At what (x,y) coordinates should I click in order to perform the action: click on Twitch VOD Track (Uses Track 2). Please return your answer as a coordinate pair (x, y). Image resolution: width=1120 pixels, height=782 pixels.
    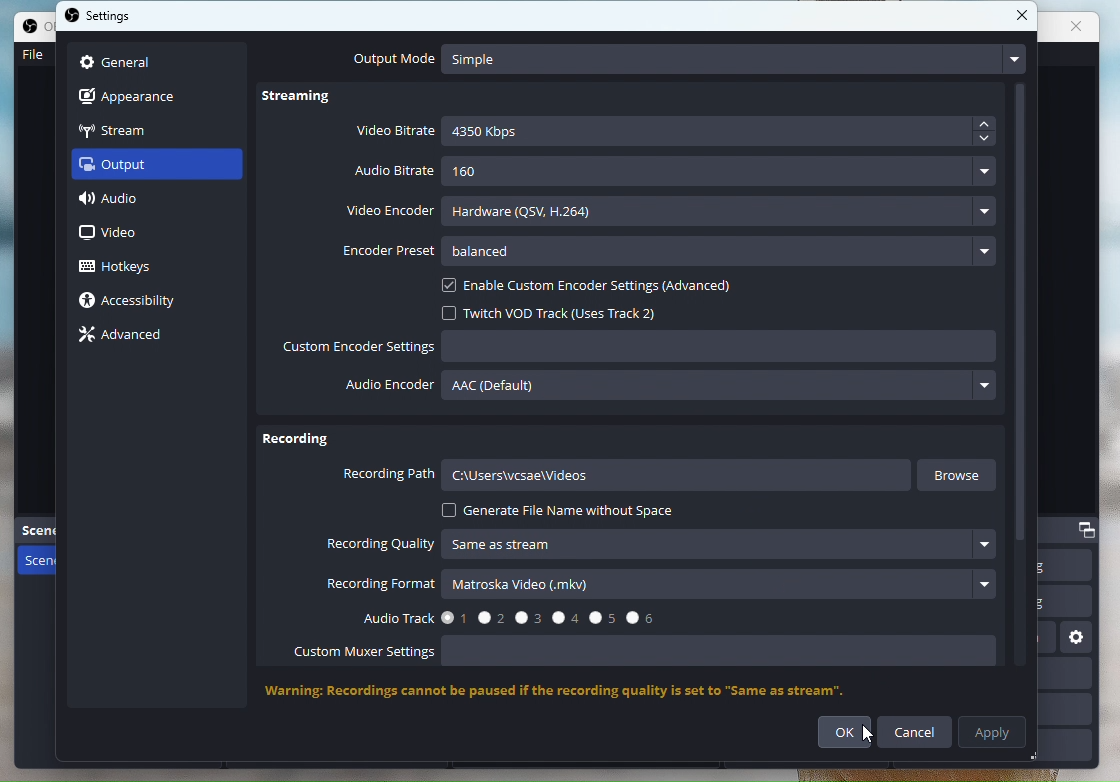
    Looking at the image, I should click on (561, 312).